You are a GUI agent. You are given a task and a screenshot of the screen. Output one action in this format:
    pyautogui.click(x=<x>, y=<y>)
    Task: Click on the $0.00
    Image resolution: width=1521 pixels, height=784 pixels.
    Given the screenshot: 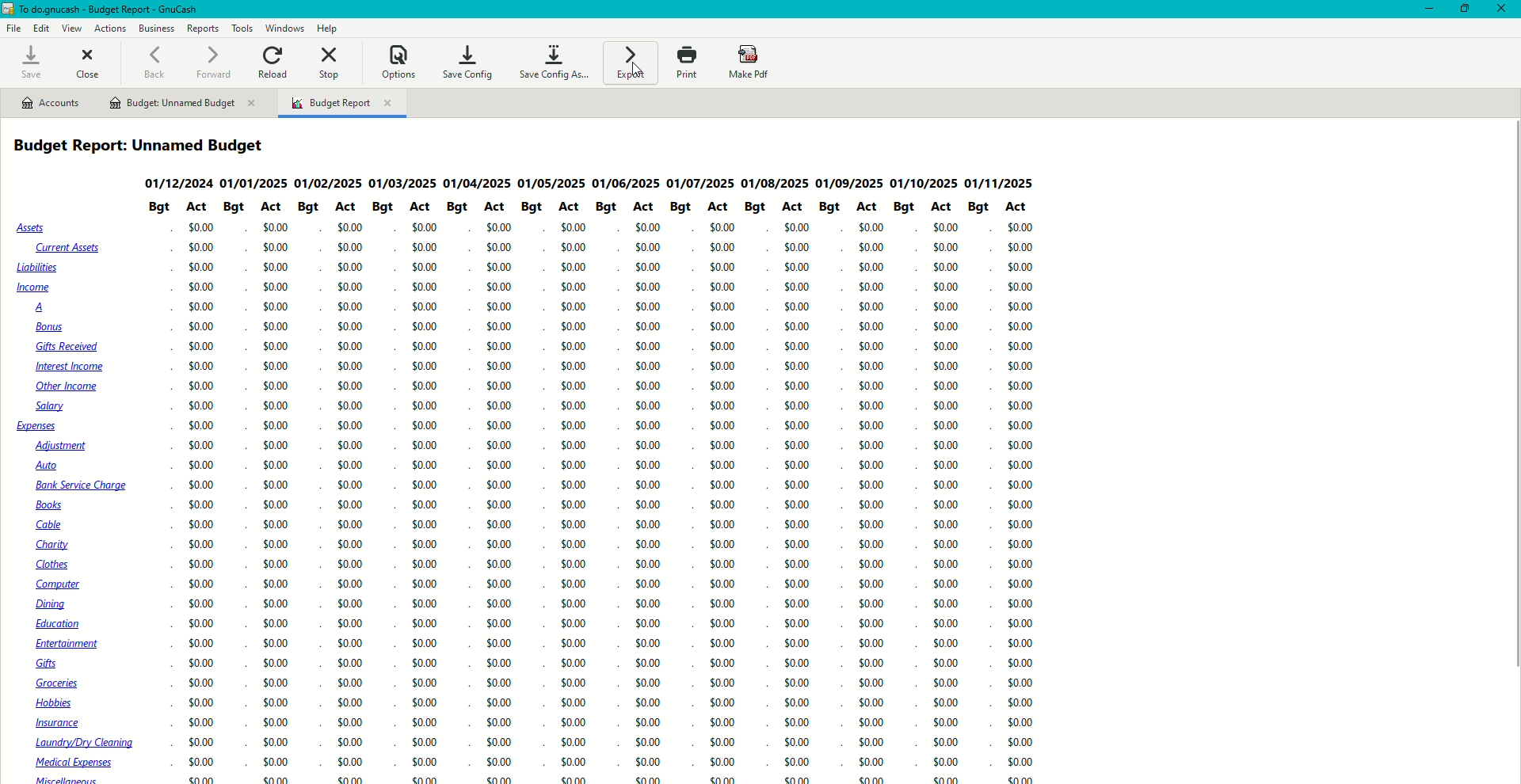 What is the action you would take?
    pyautogui.click(x=501, y=423)
    